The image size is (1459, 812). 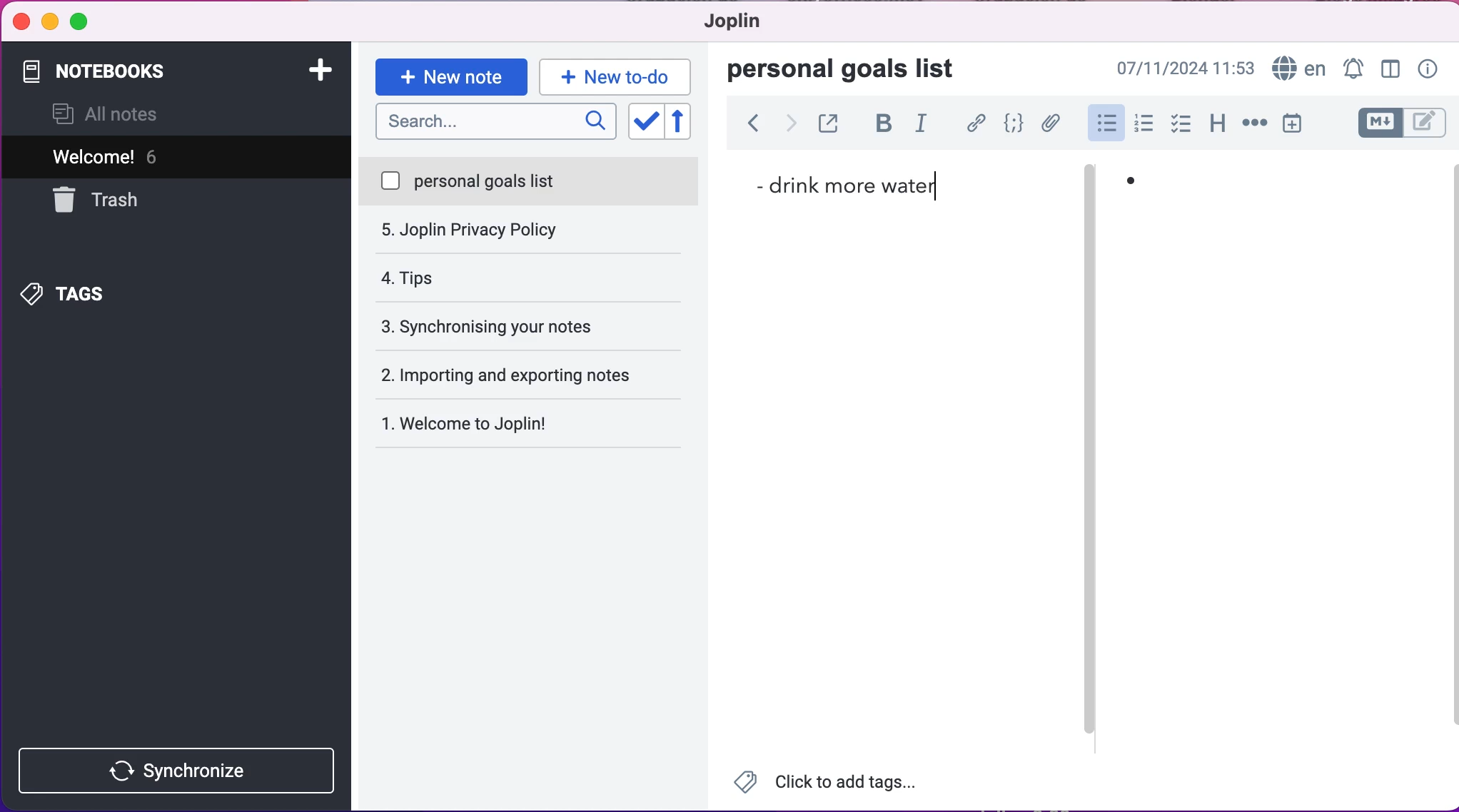 What do you see at coordinates (687, 122) in the screenshot?
I see `reverse sort order` at bounding box center [687, 122].